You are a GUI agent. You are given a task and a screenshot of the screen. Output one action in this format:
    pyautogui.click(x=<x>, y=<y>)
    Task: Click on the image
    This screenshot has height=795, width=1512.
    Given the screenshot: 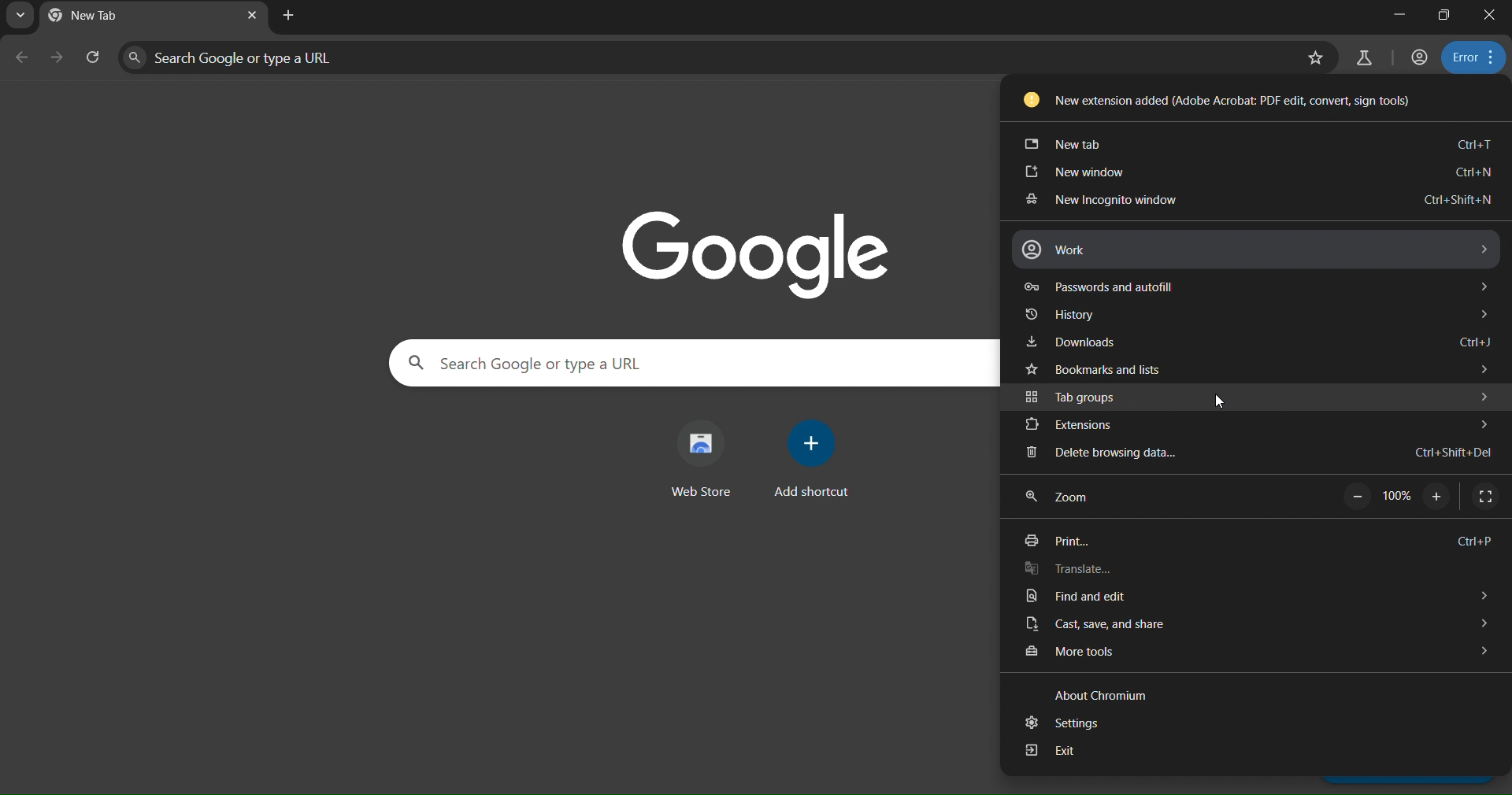 What is the action you would take?
    pyautogui.click(x=769, y=252)
    